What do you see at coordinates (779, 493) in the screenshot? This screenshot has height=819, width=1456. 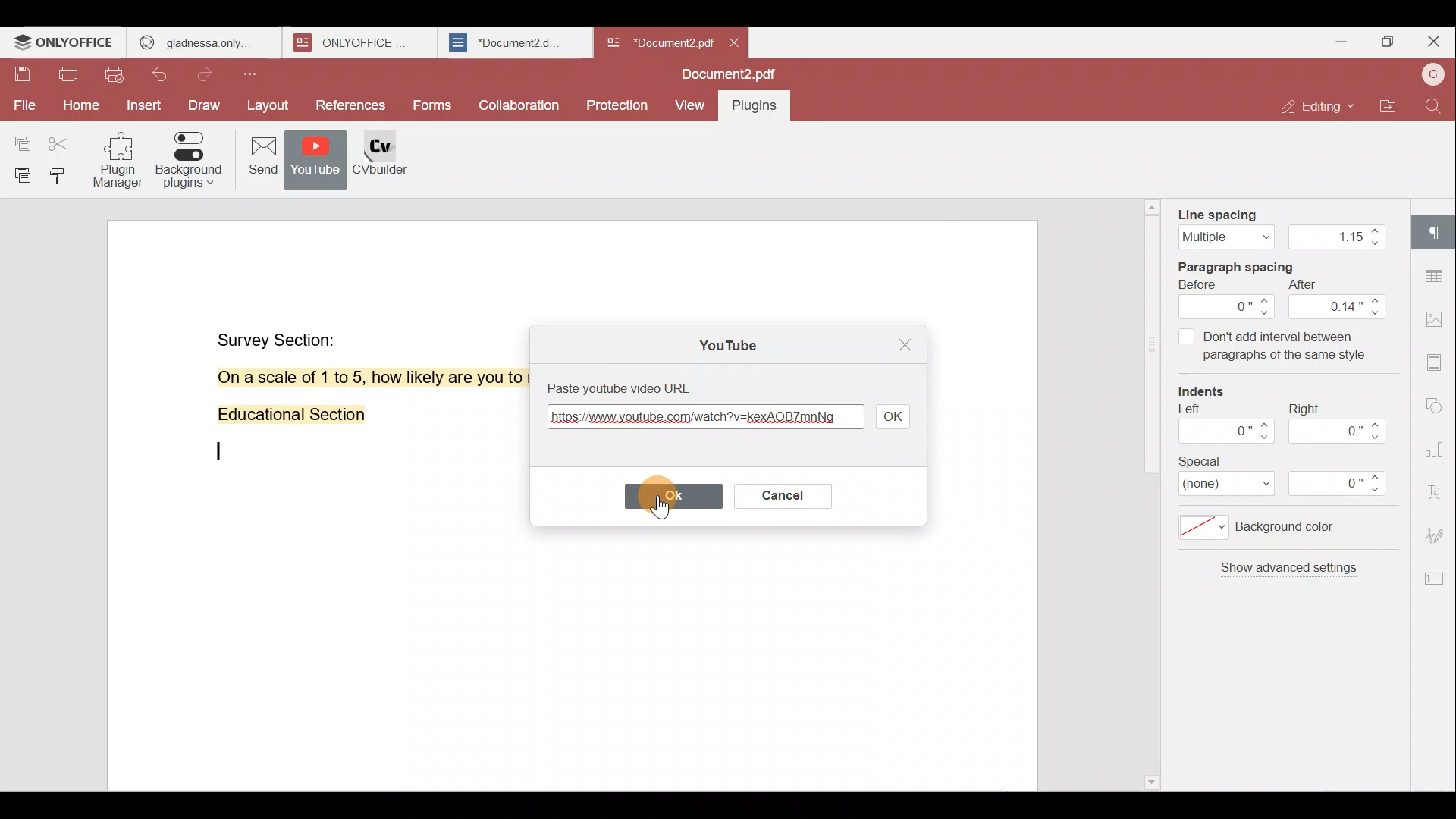 I see `Cancel` at bounding box center [779, 493].